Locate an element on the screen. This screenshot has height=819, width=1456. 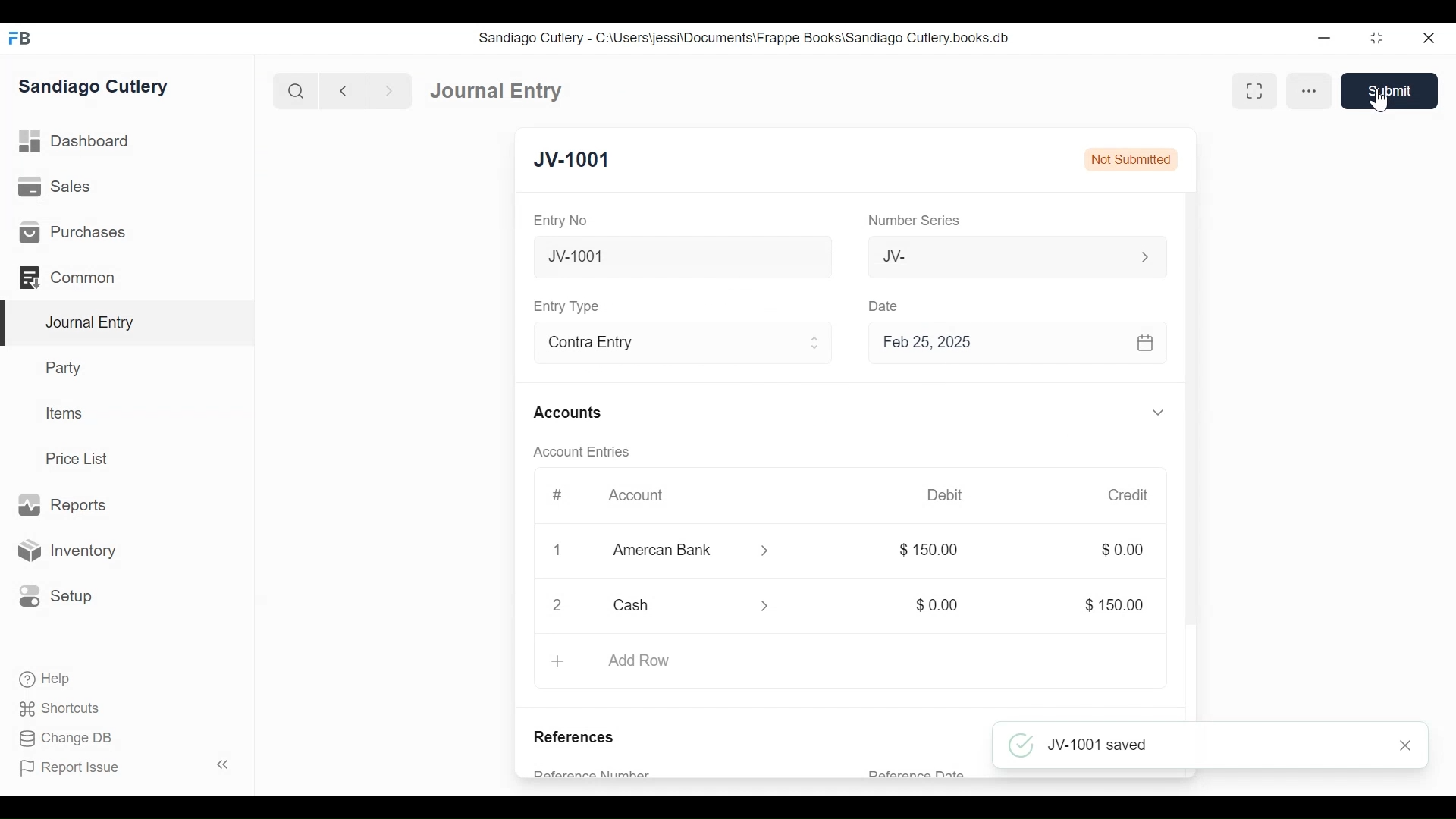
Setup is located at coordinates (52, 595).